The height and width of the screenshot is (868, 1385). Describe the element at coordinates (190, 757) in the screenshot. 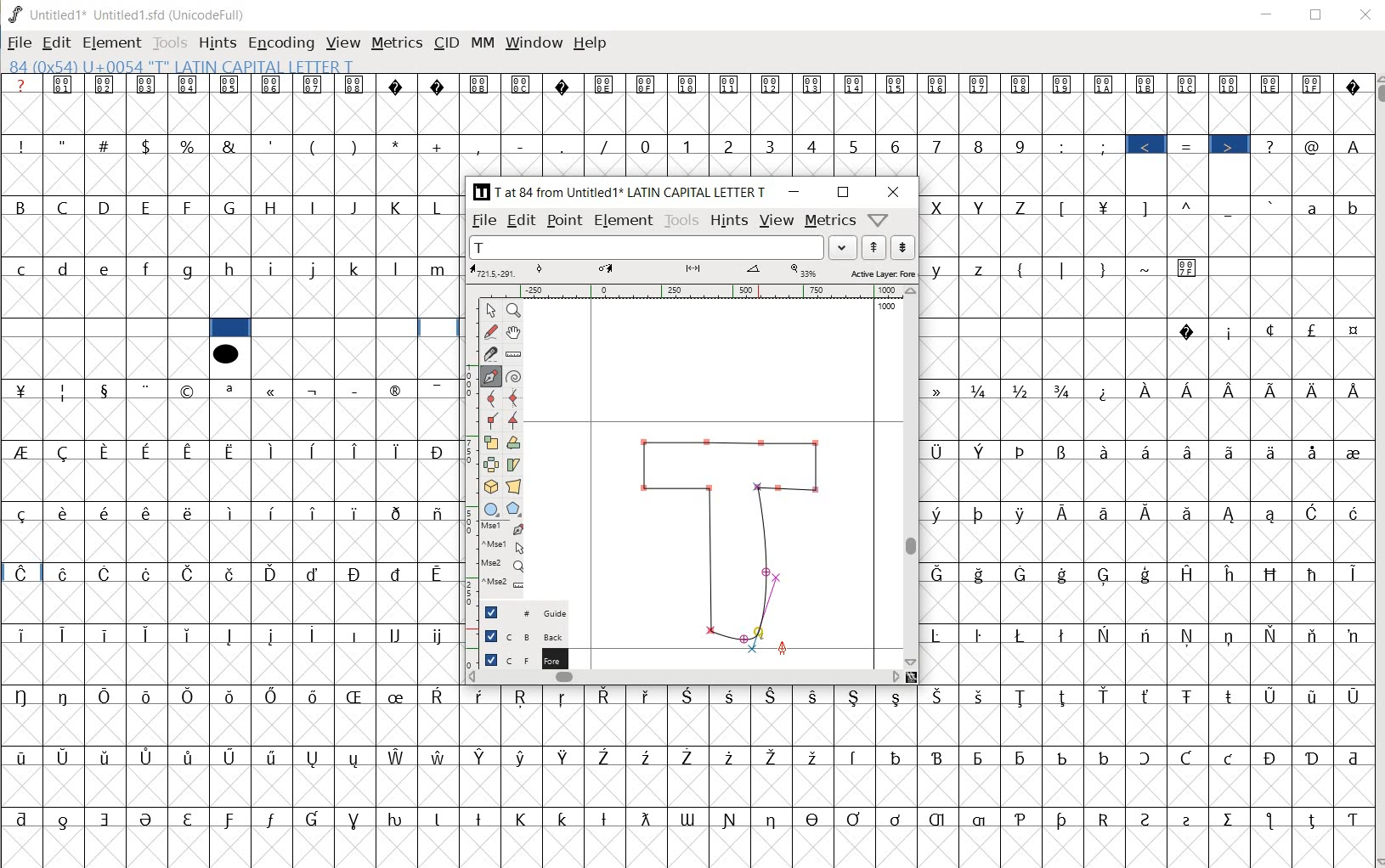

I see `Symbol` at that location.